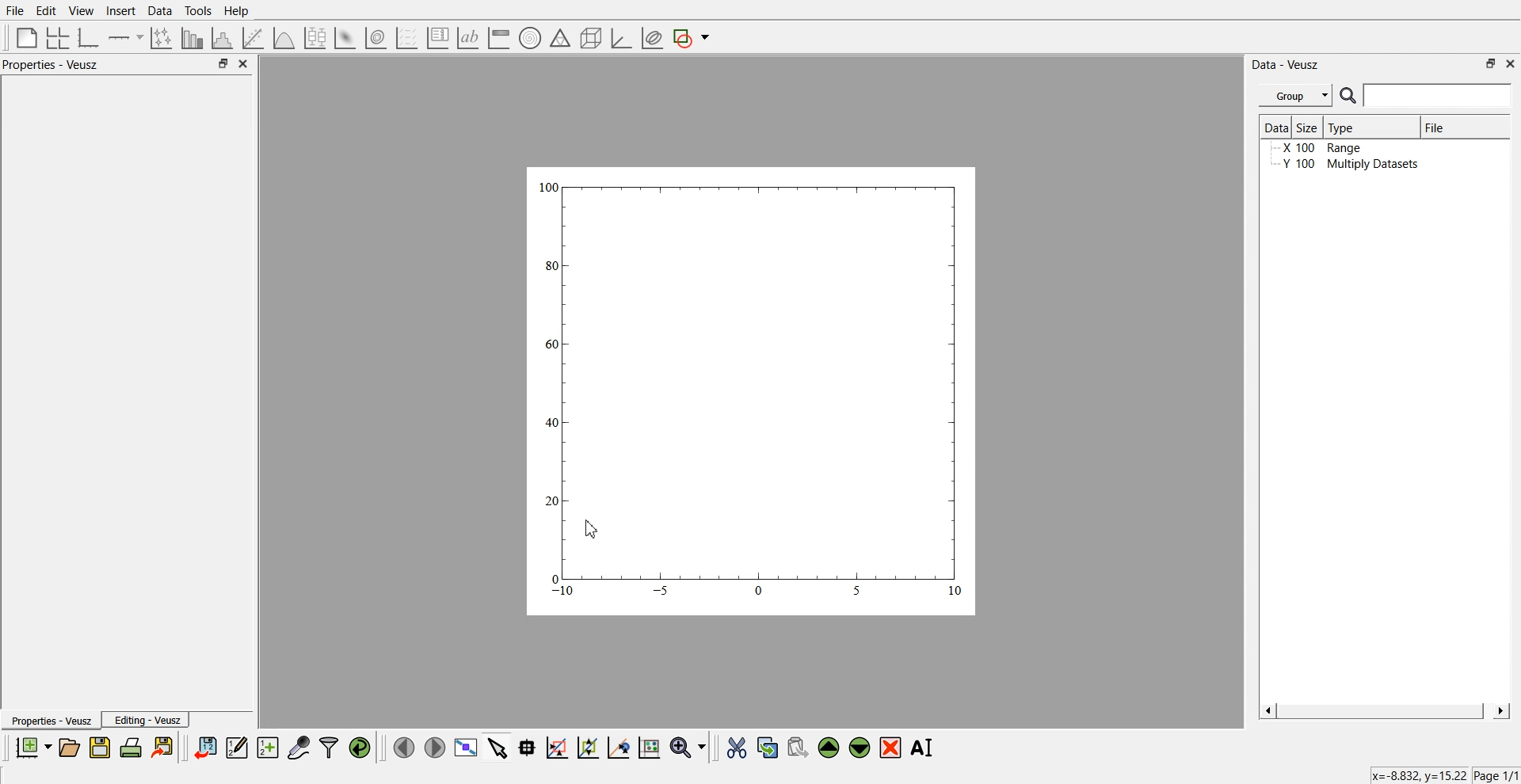  What do you see at coordinates (434, 746) in the screenshot?
I see `move right` at bounding box center [434, 746].